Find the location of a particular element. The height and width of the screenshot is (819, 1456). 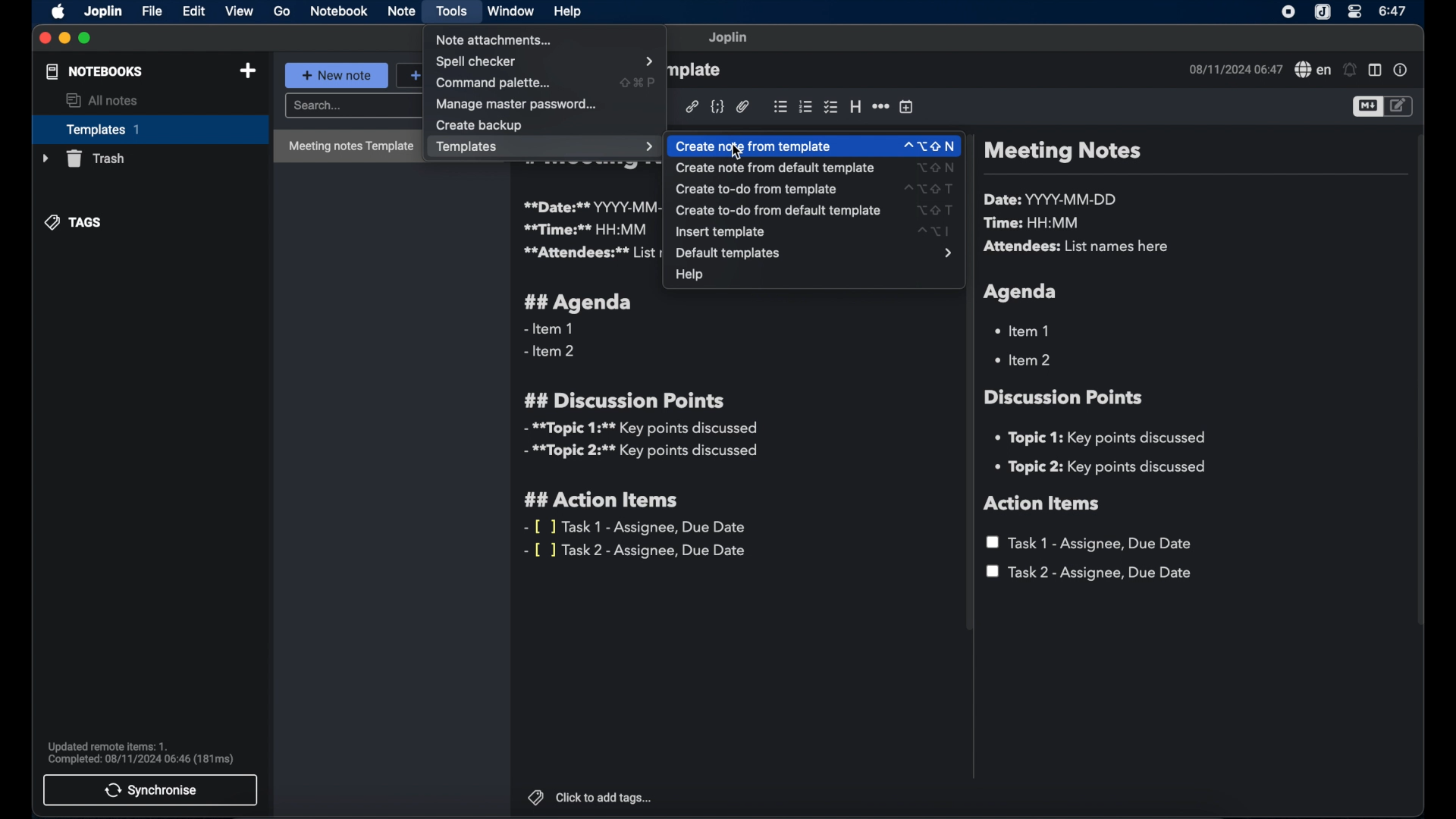

scroll bar is located at coordinates (1421, 390).